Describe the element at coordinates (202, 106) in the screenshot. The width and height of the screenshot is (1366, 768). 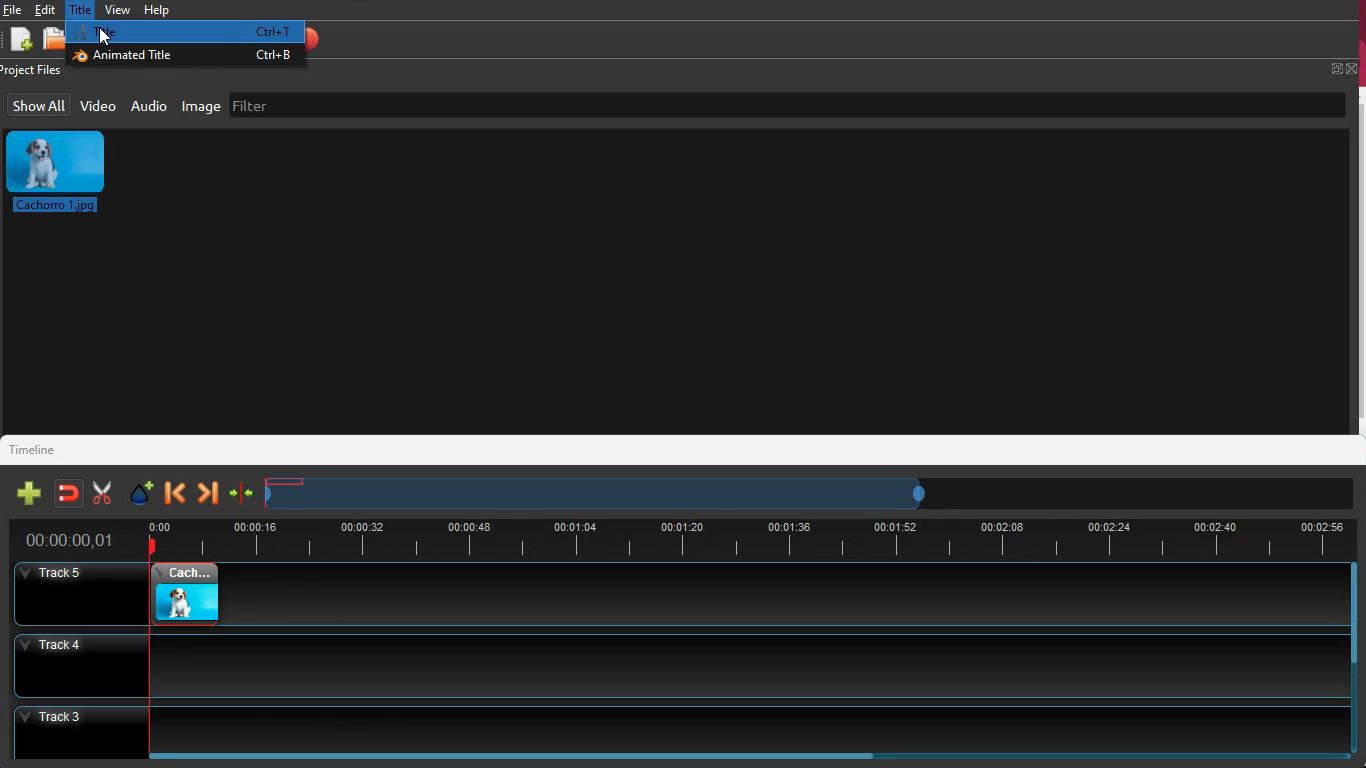
I see `image` at that location.